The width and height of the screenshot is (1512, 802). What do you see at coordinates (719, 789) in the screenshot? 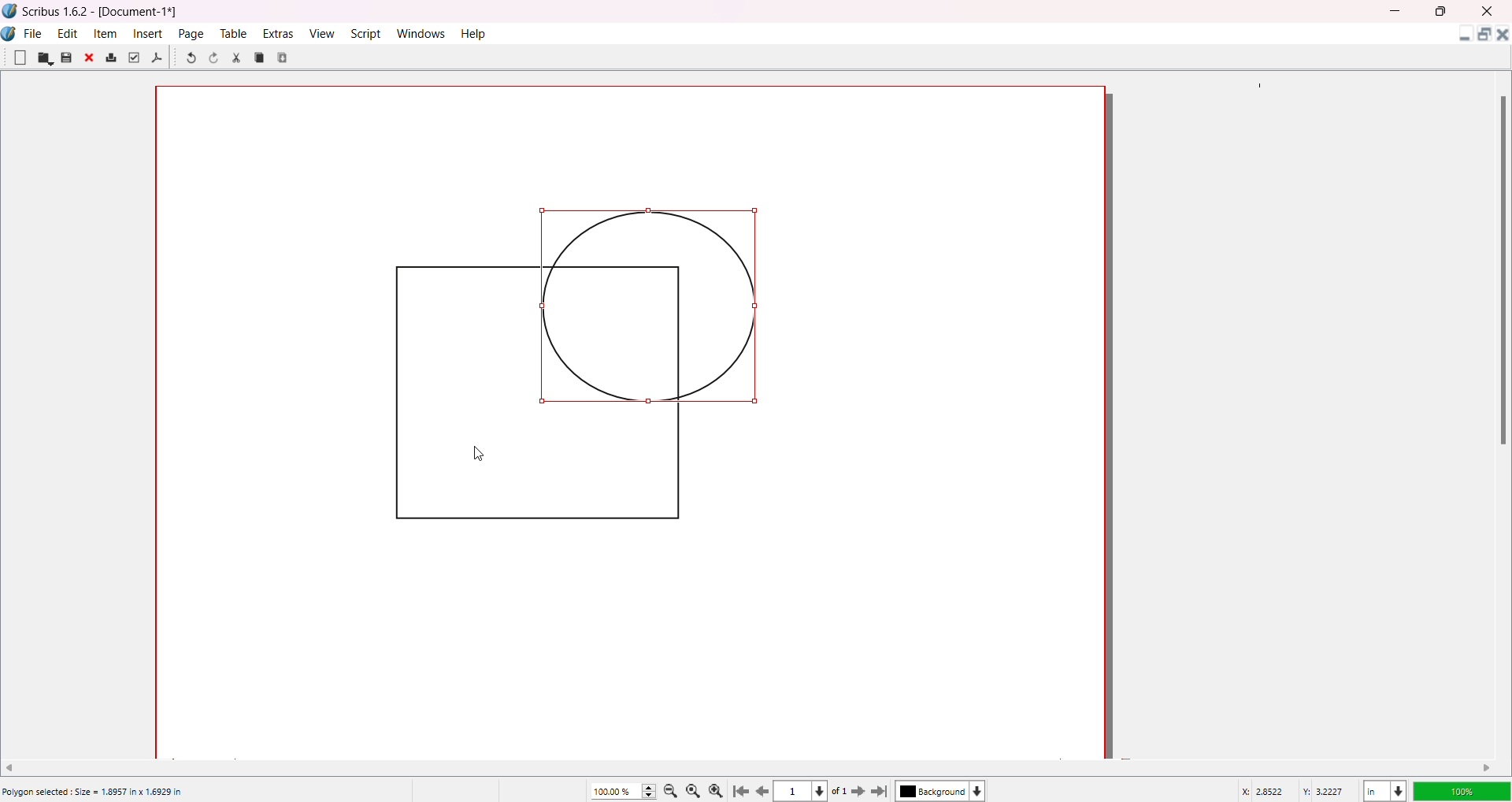
I see `Zoom in` at bounding box center [719, 789].